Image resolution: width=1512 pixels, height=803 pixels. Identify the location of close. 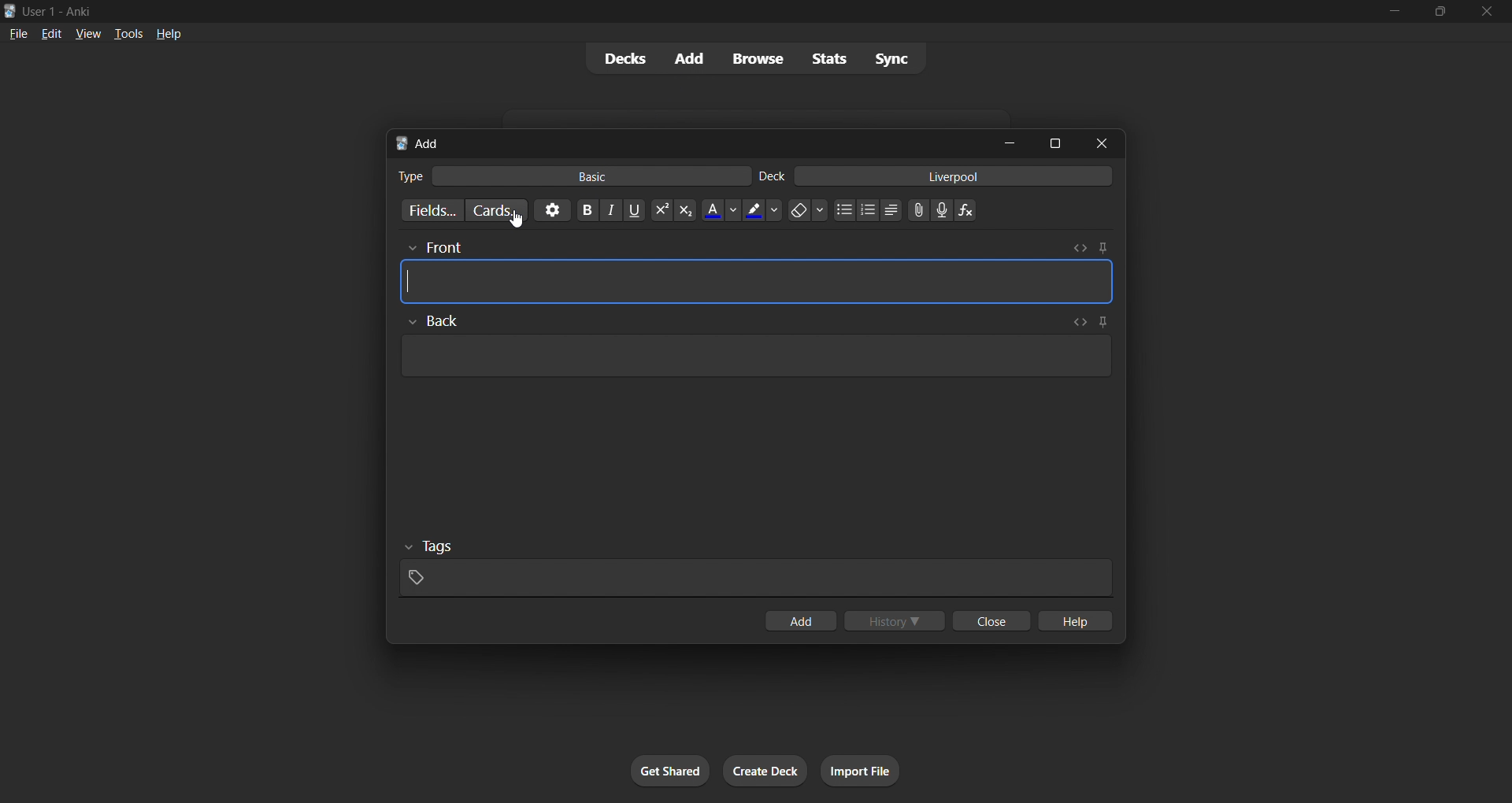
(988, 621).